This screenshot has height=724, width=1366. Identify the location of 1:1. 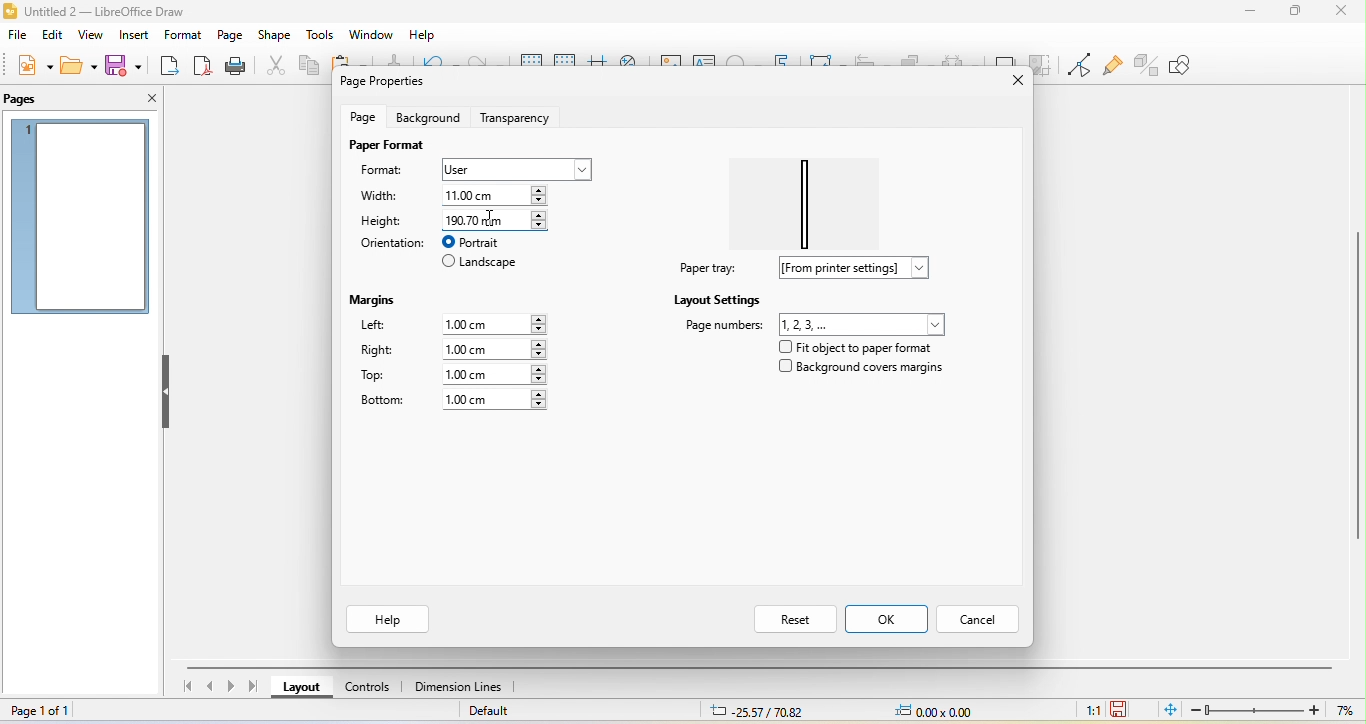
(1089, 709).